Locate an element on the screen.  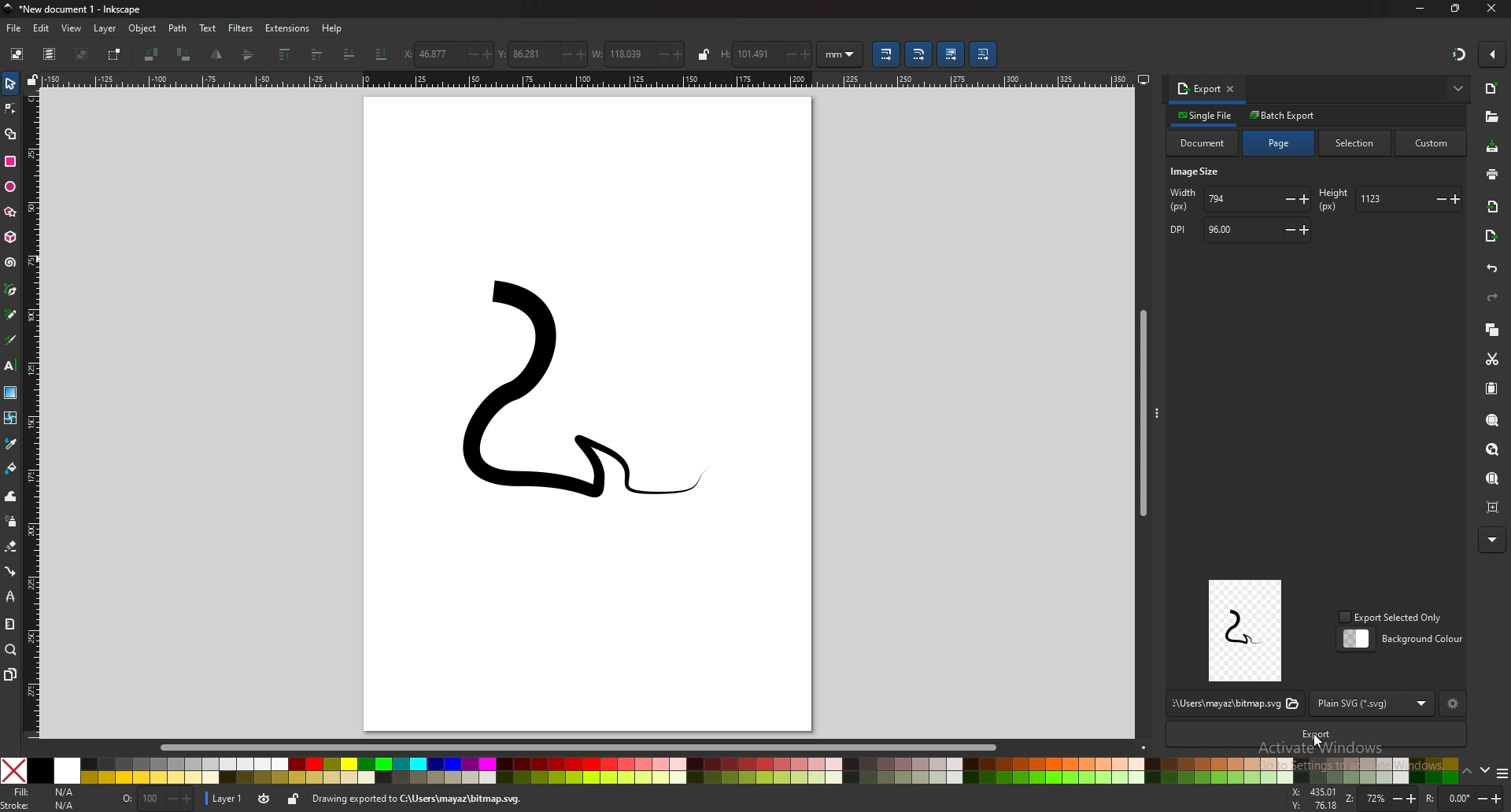
rotate 90 degree ccw is located at coordinates (152, 54).